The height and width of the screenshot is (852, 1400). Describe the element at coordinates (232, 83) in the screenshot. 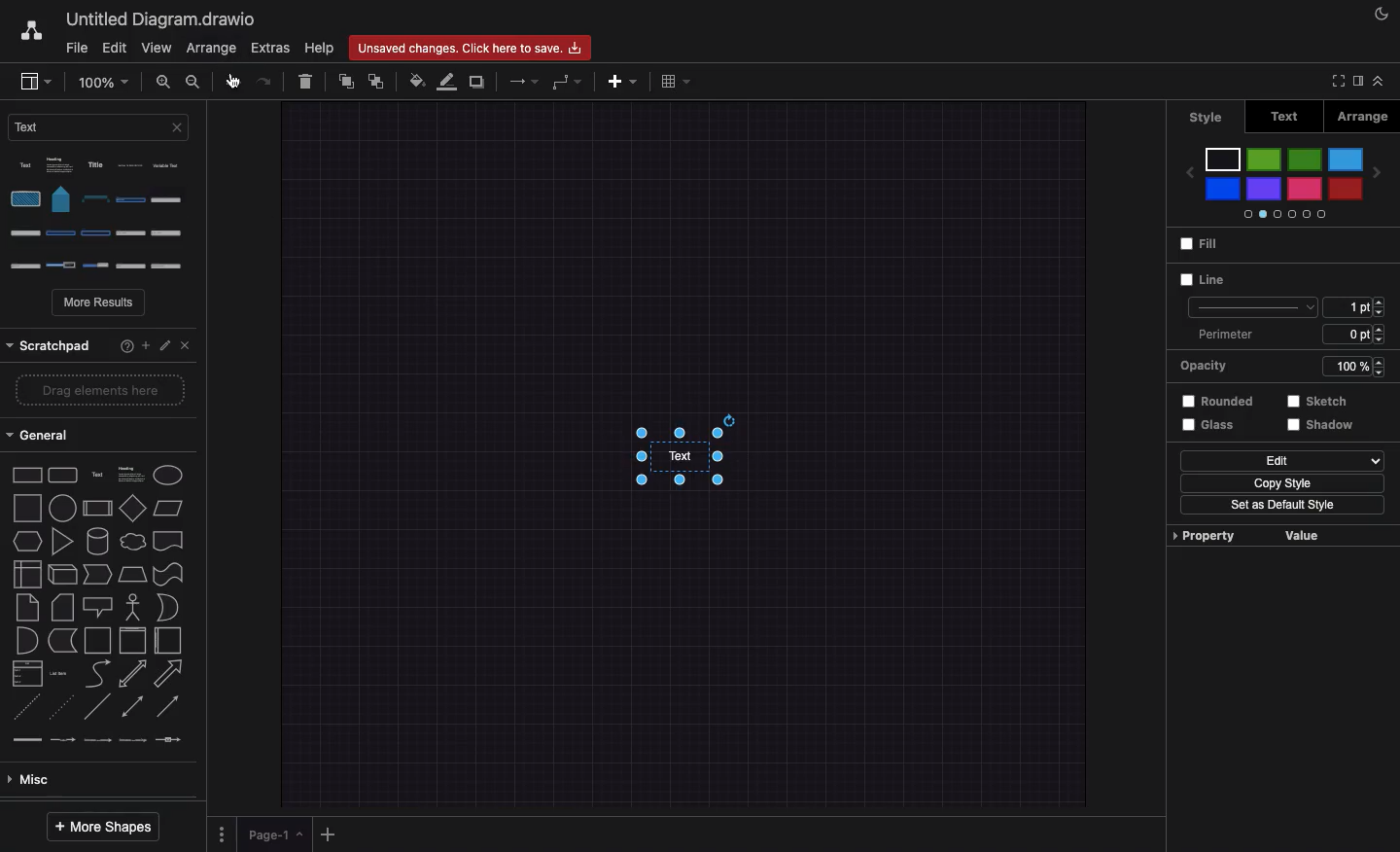

I see `Undo` at that location.